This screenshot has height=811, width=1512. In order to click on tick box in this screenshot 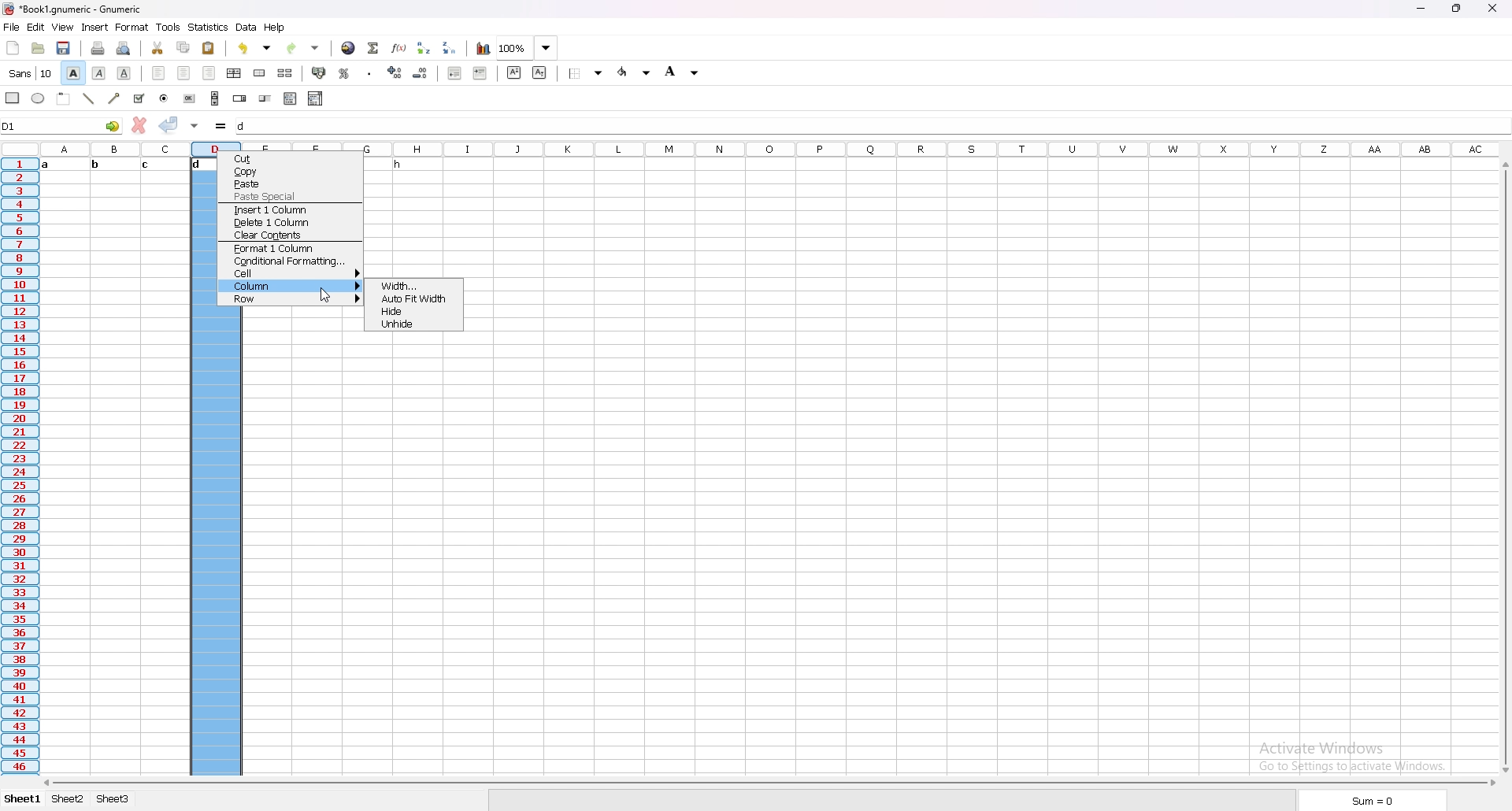, I will do `click(139, 99)`.